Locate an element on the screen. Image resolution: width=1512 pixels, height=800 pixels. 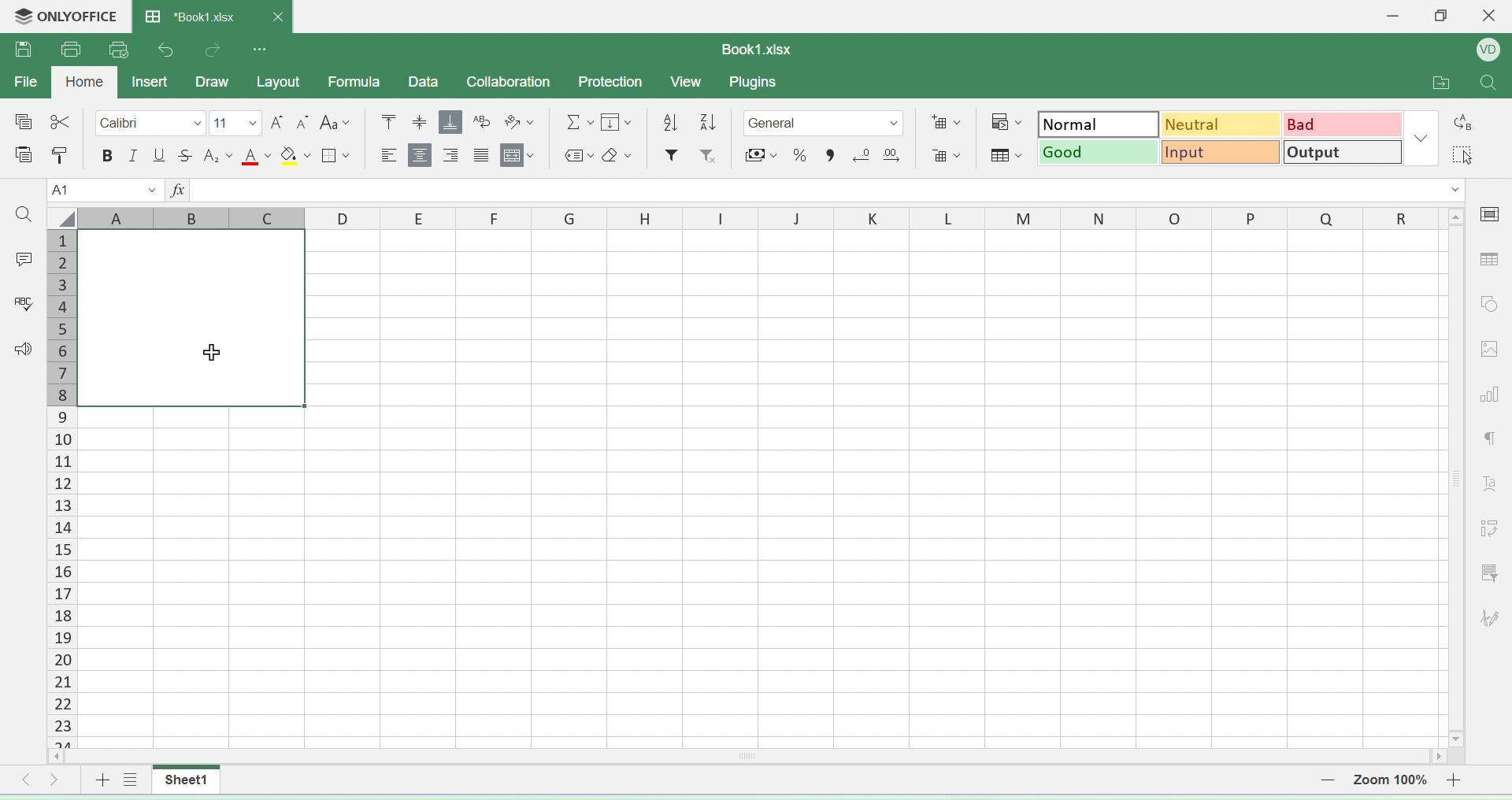
cell name is located at coordinates (107, 190).